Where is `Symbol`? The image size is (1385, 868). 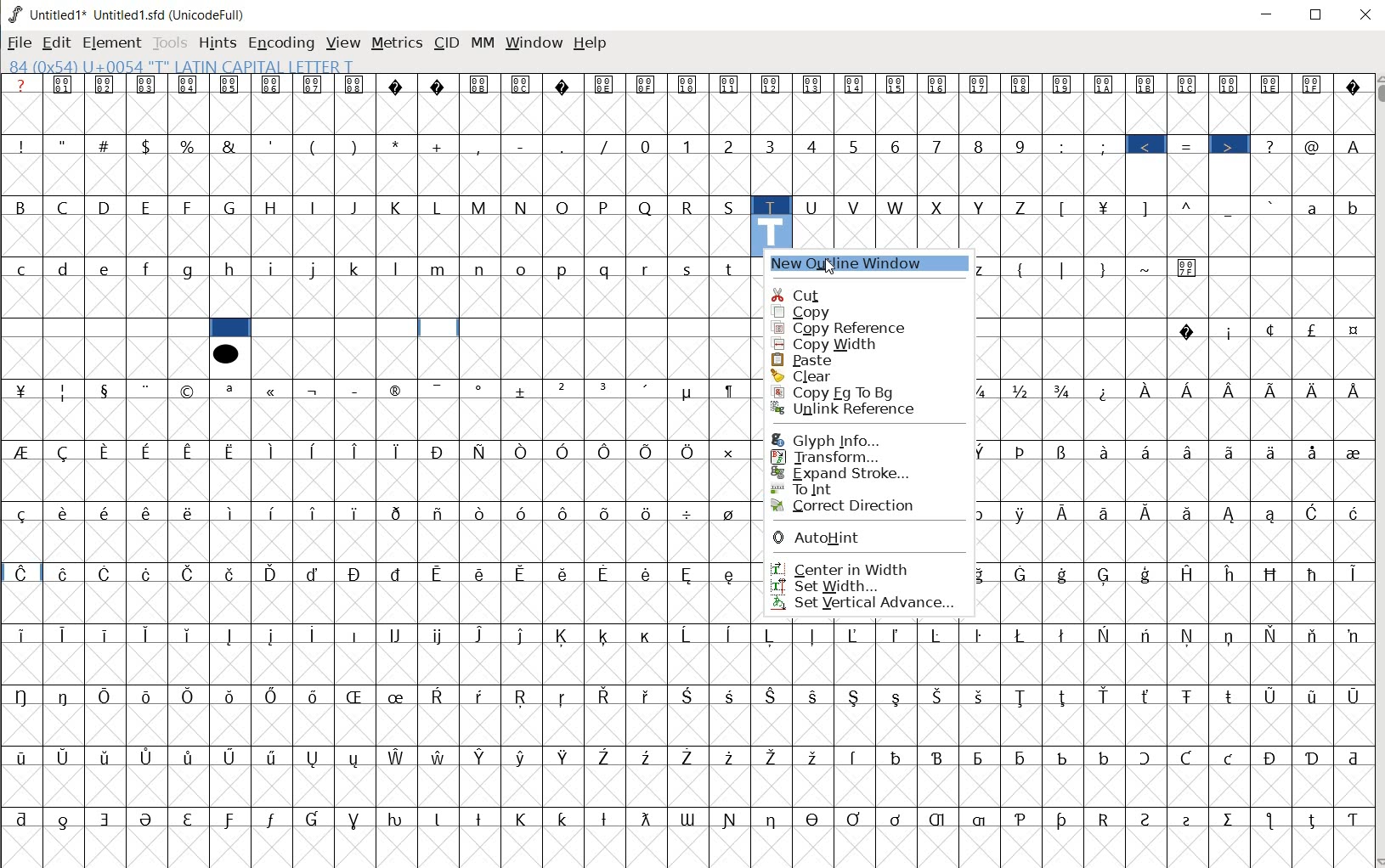 Symbol is located at coordinates (399, 817).